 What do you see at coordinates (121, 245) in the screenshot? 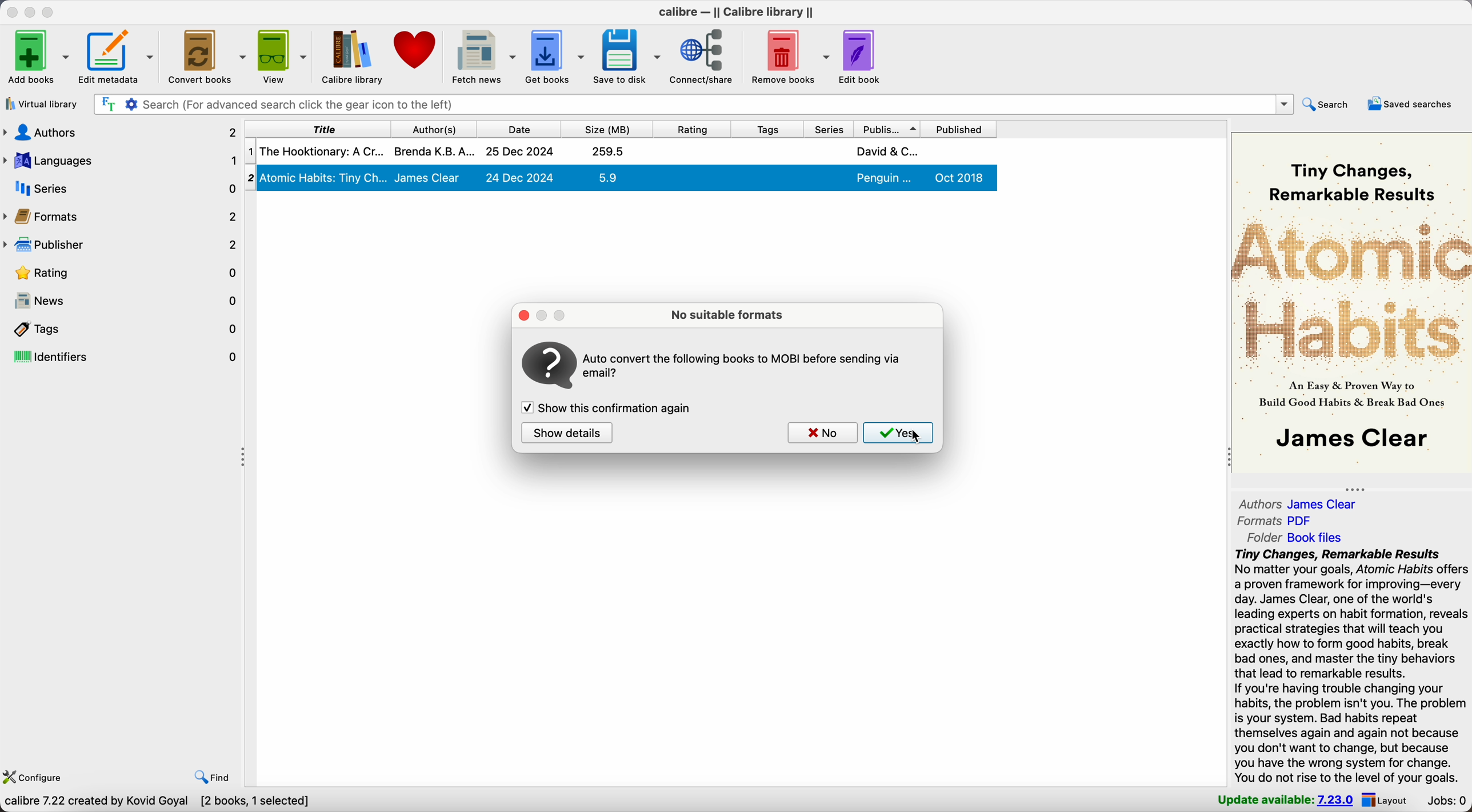
I see `publisher` at bounding box center [121, 245].